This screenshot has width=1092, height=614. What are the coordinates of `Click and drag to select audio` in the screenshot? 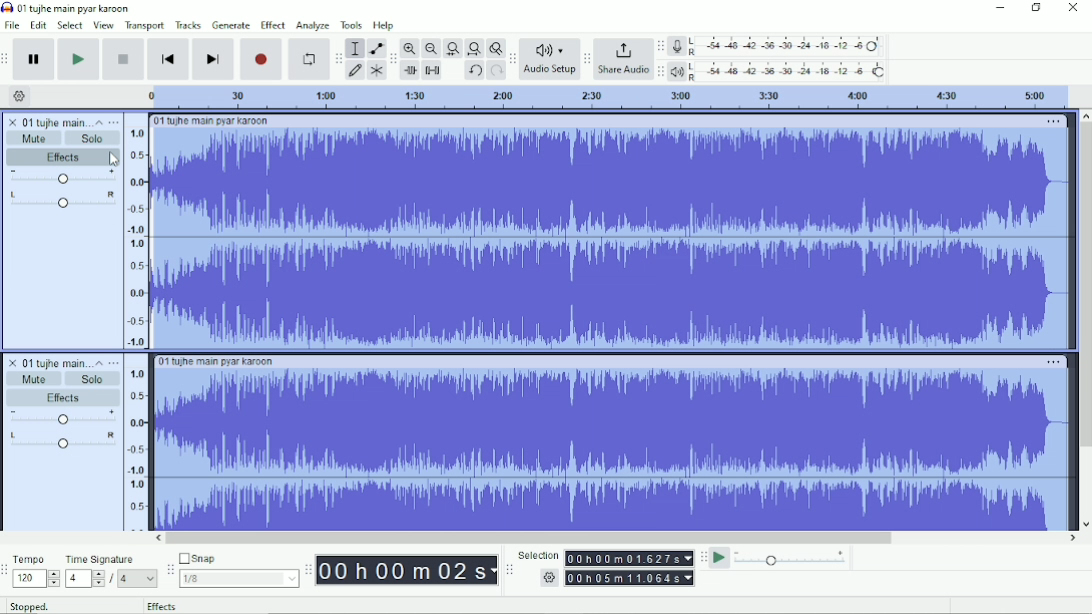 It's located at (267, 606).